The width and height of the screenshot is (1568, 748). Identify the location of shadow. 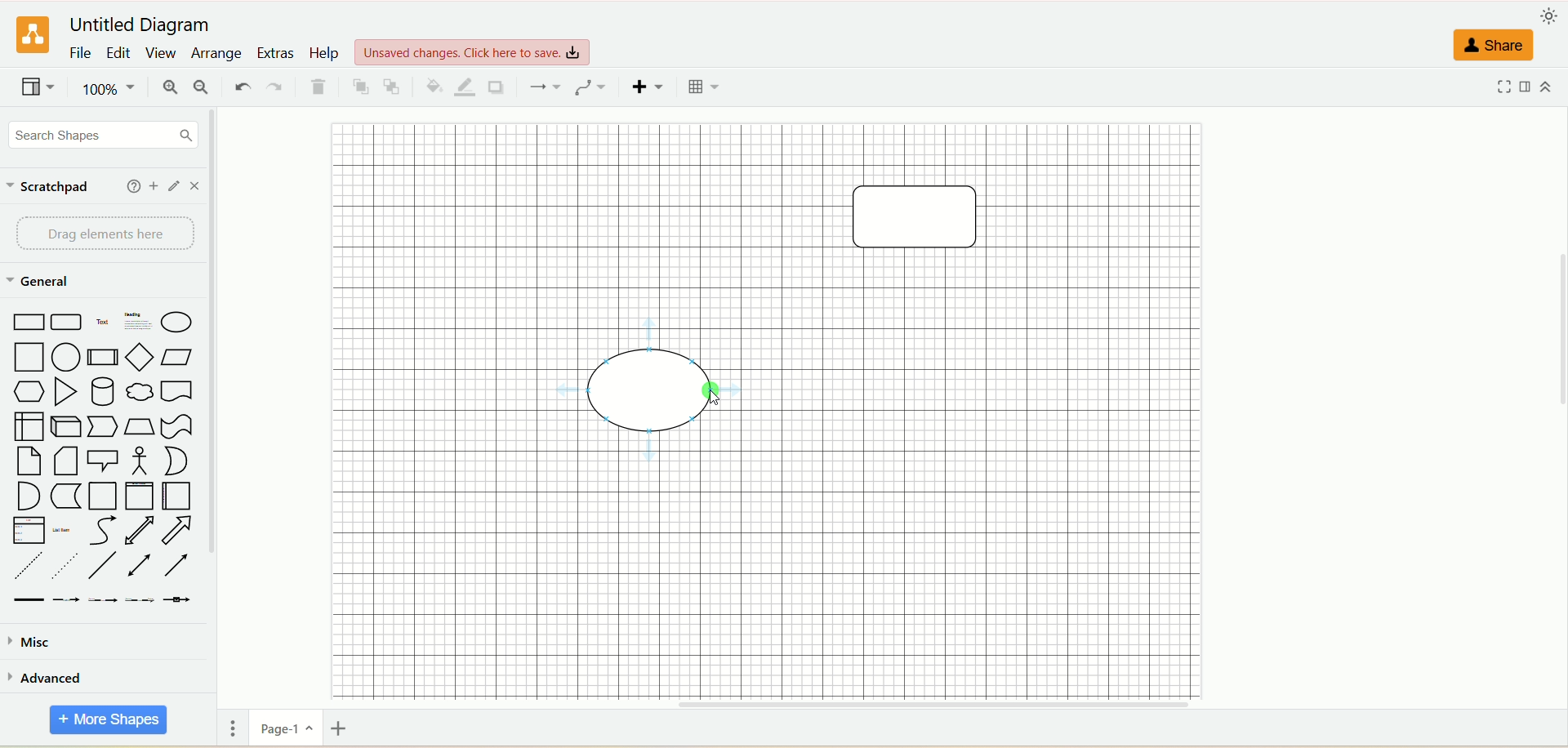
(501, 87).